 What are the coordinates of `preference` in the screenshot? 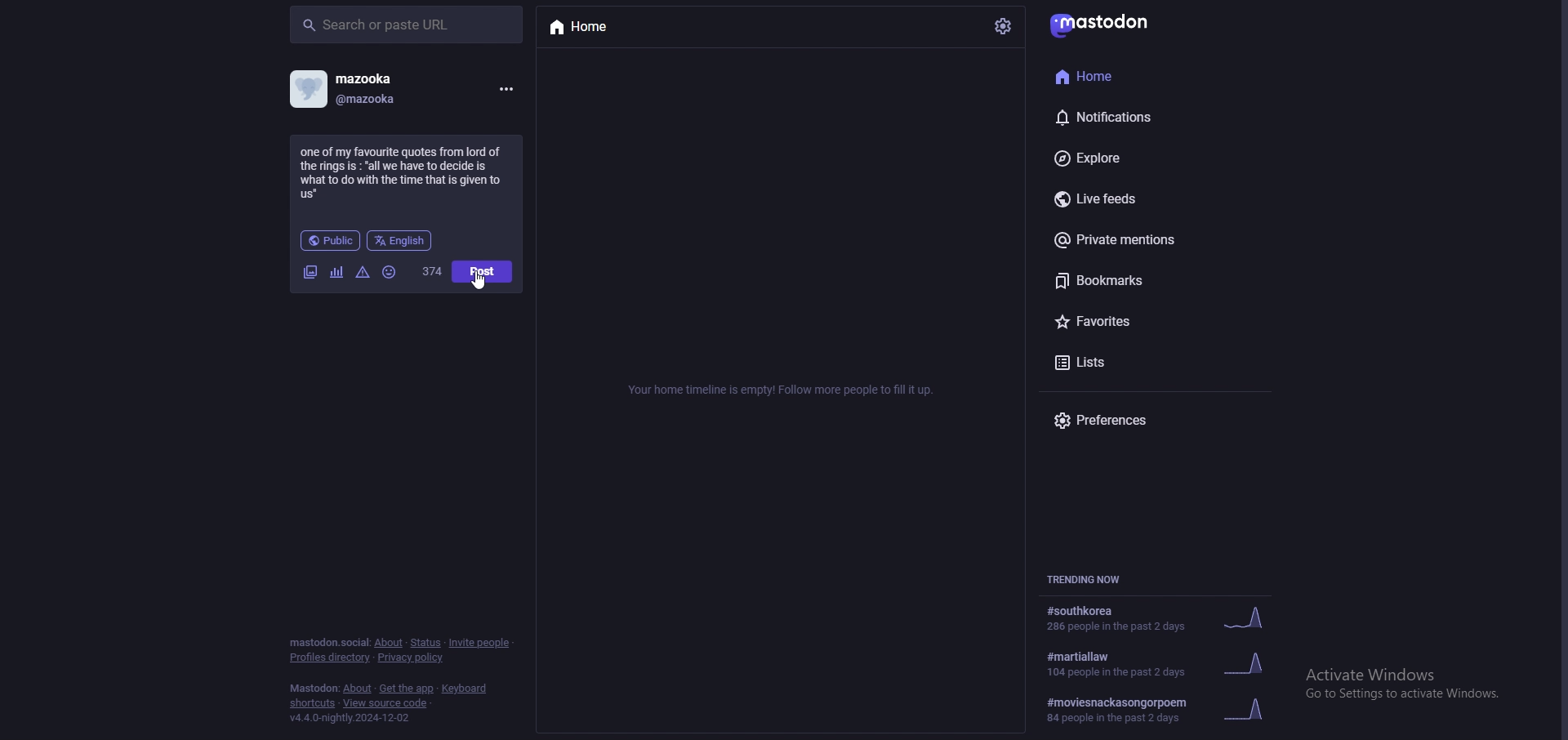 It's located at (1114, 421).